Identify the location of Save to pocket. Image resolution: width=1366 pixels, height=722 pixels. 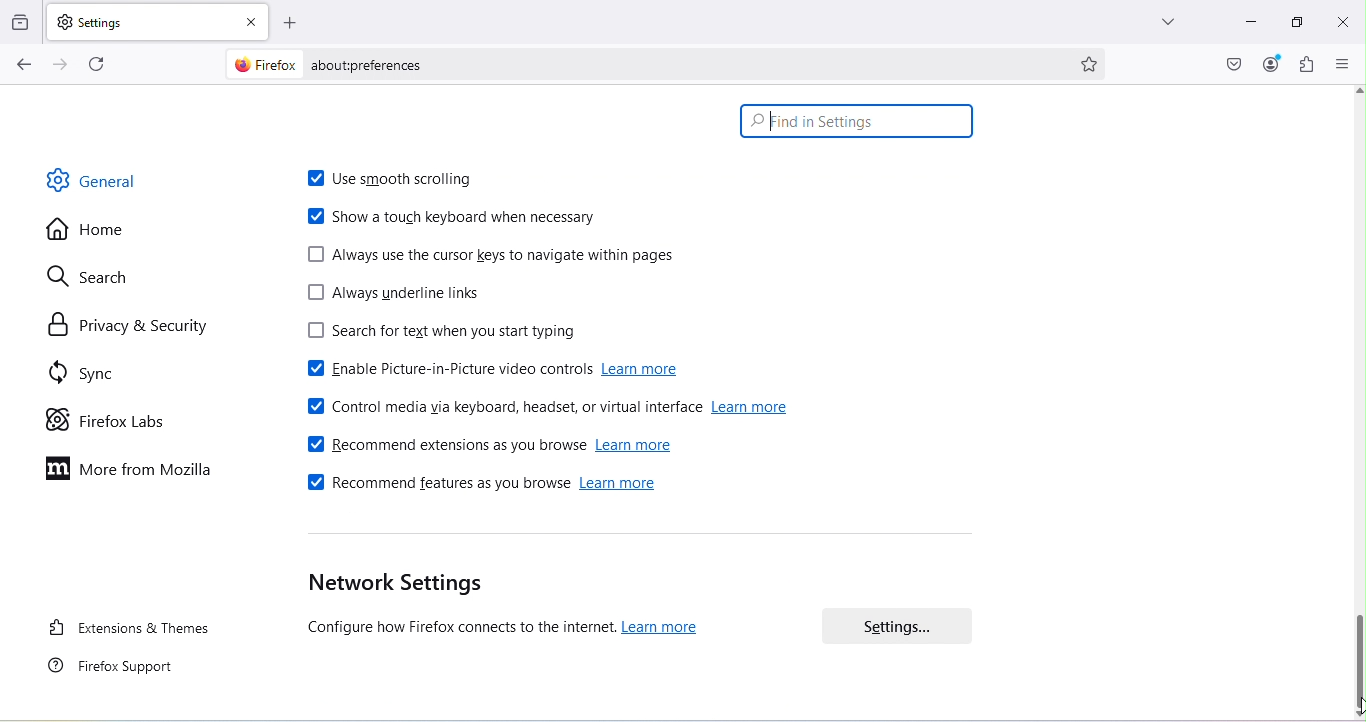
(1235, 65).